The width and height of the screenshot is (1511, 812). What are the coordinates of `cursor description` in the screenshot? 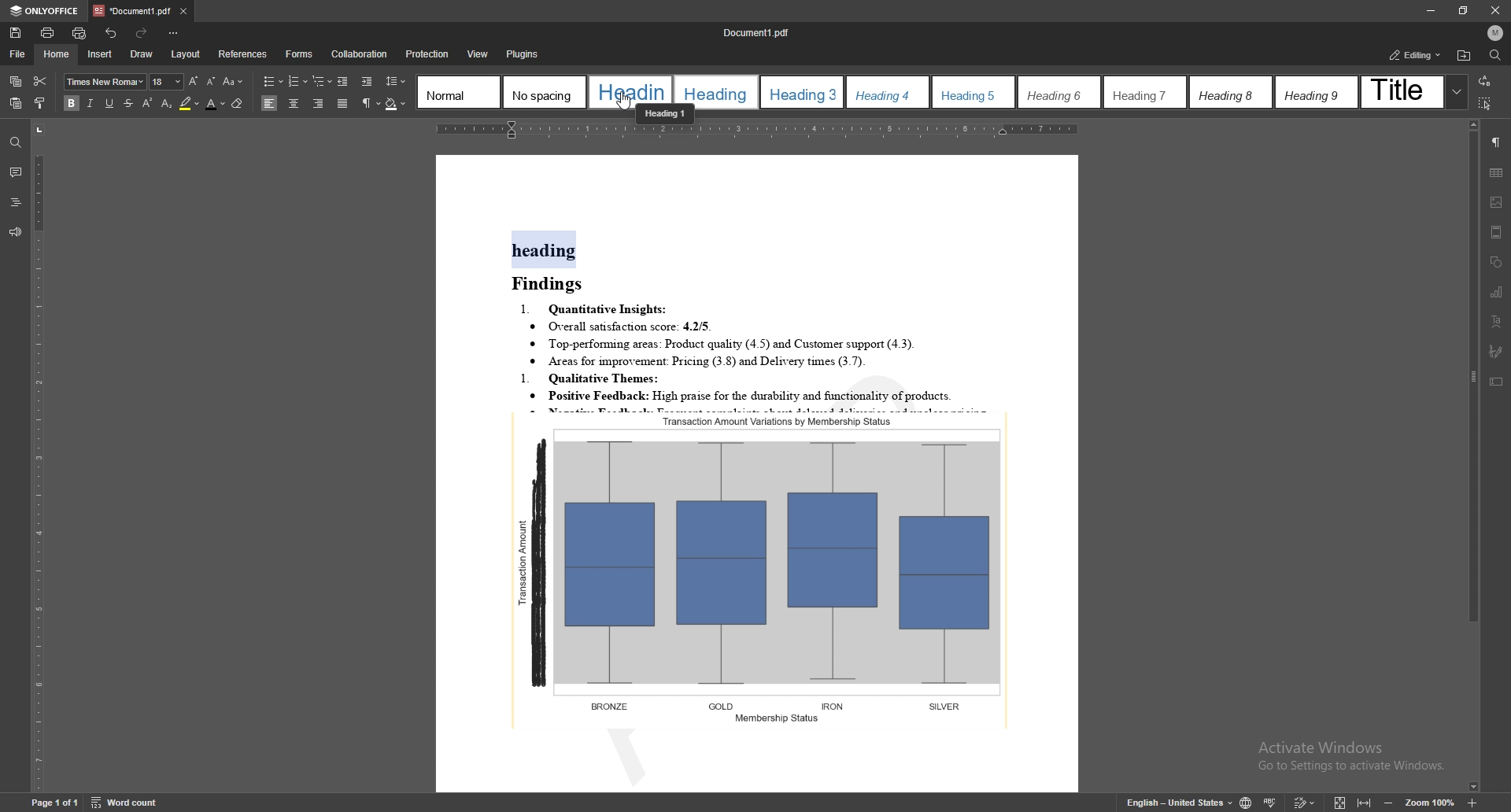 It's located at (665, 115).